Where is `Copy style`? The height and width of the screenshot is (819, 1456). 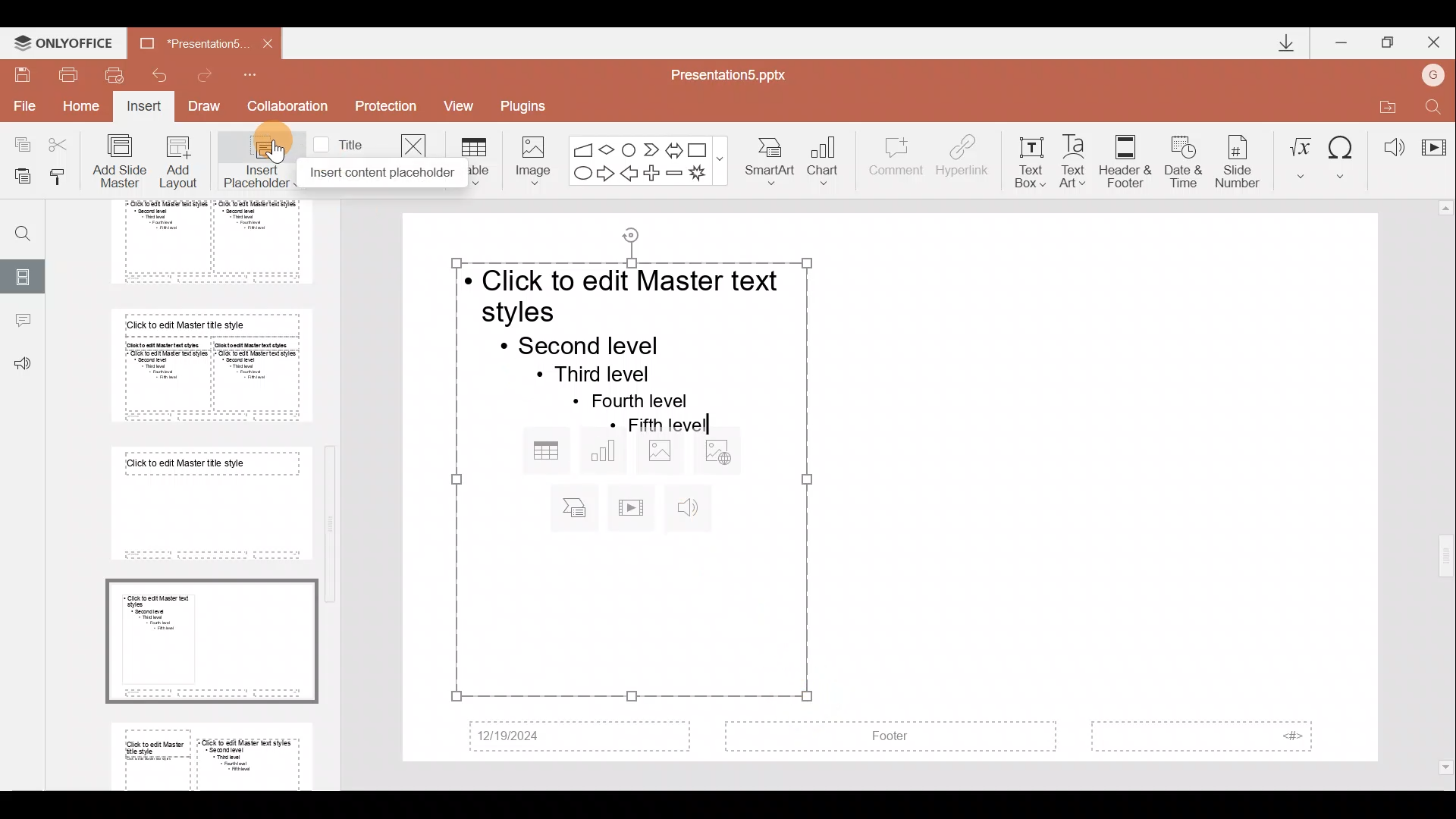 Copy style is located at coordinates (64, 176).